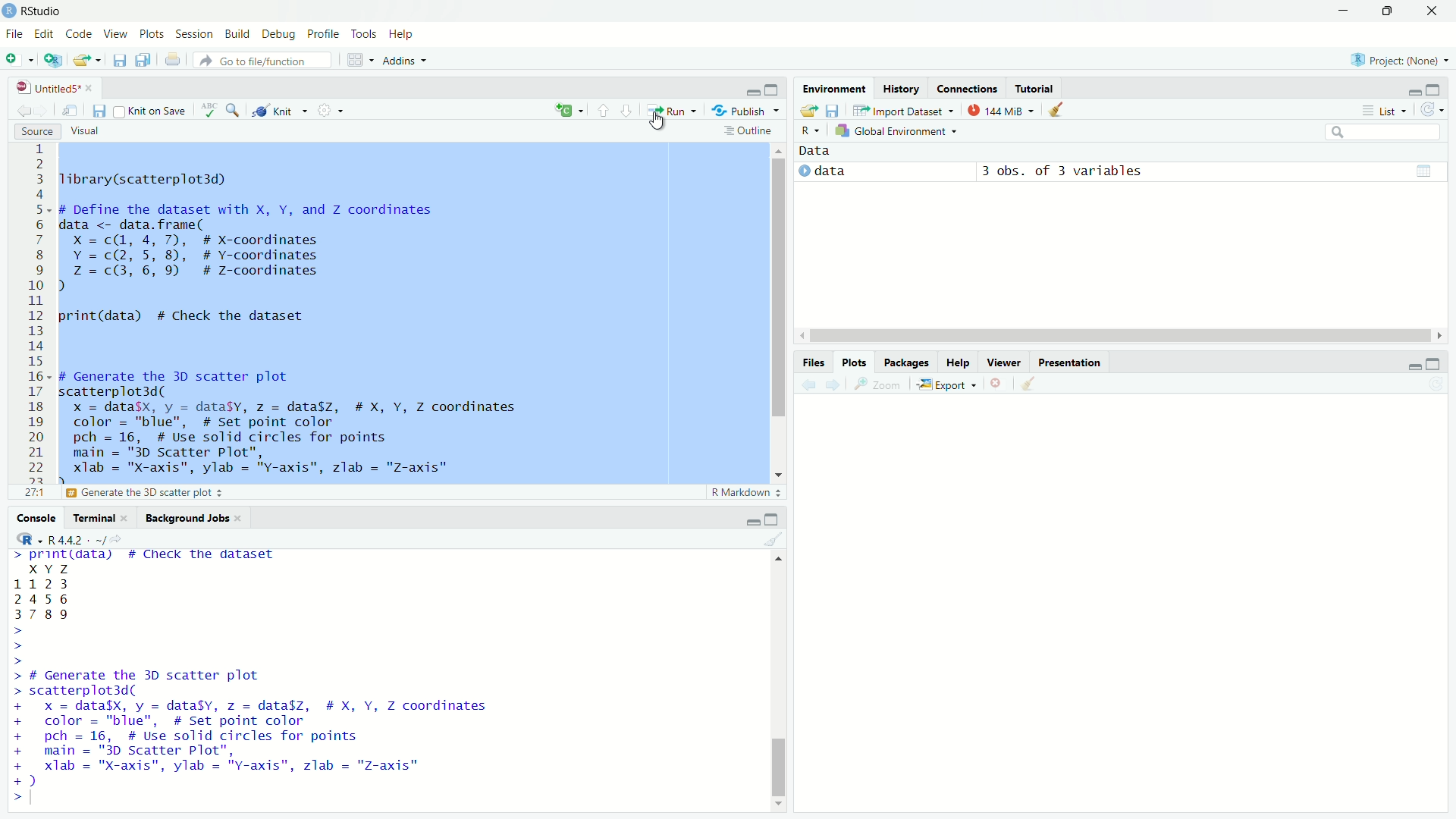 The image size is (1456, 819). I want to click on minimize, so click(1341, 11).